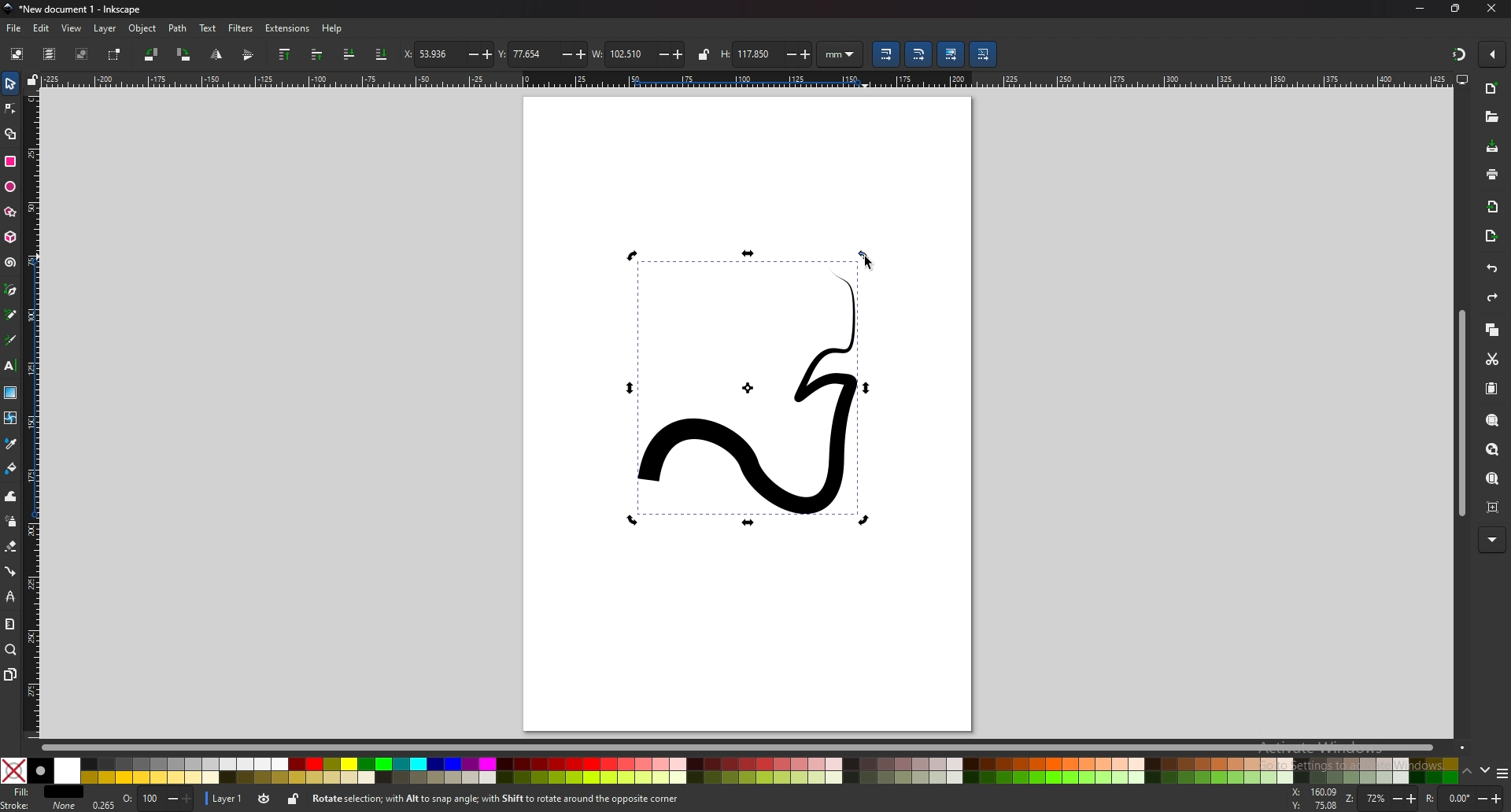 The height and width of the screenshot is (812, 1511). What do you see at coordinates (1494, 147) in the screenshot?
I see `save` at bounding box center [1494, 147].